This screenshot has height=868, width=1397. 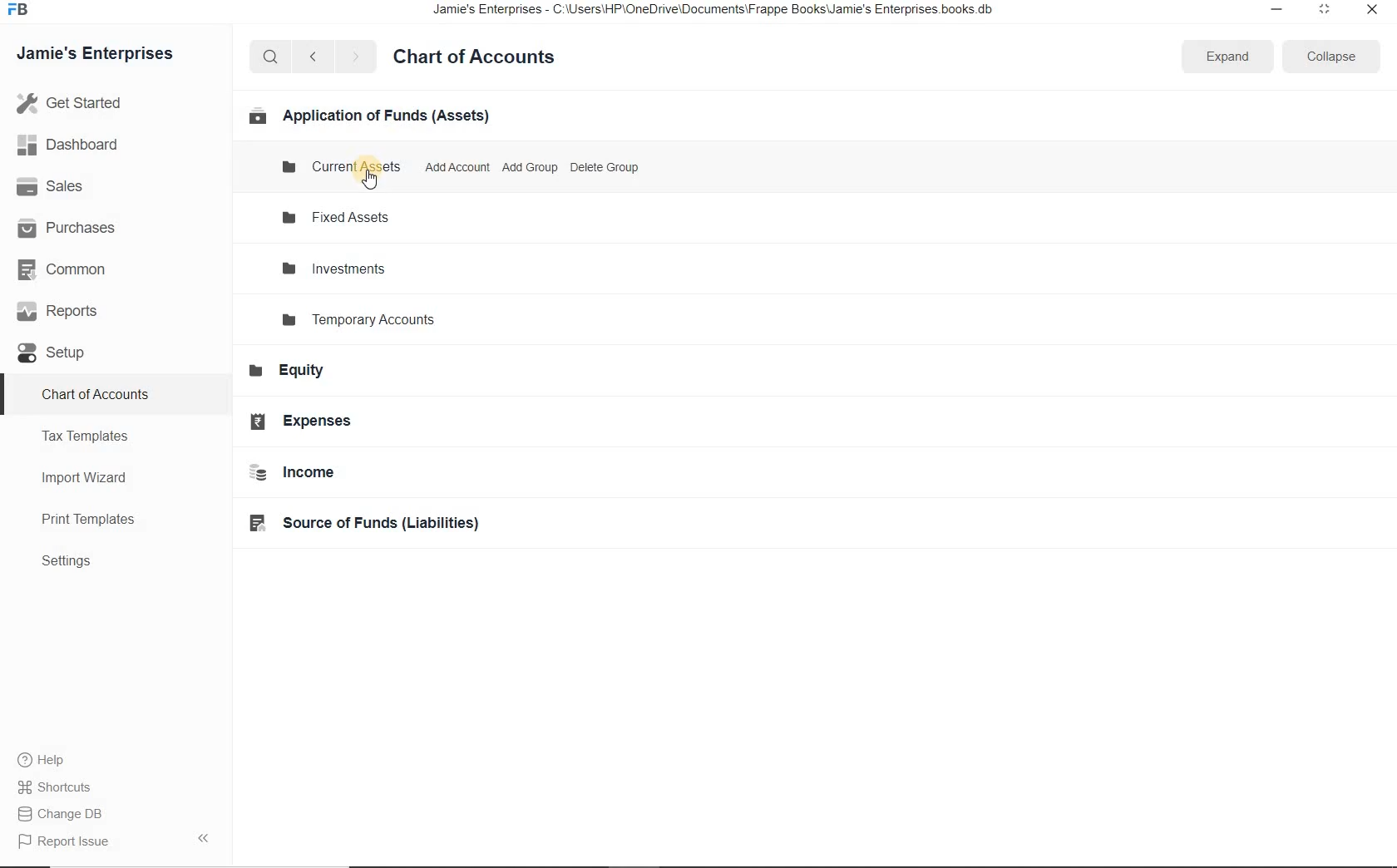 I want to click on Source of Funds (Liabilities), so click(x=378, y=525).